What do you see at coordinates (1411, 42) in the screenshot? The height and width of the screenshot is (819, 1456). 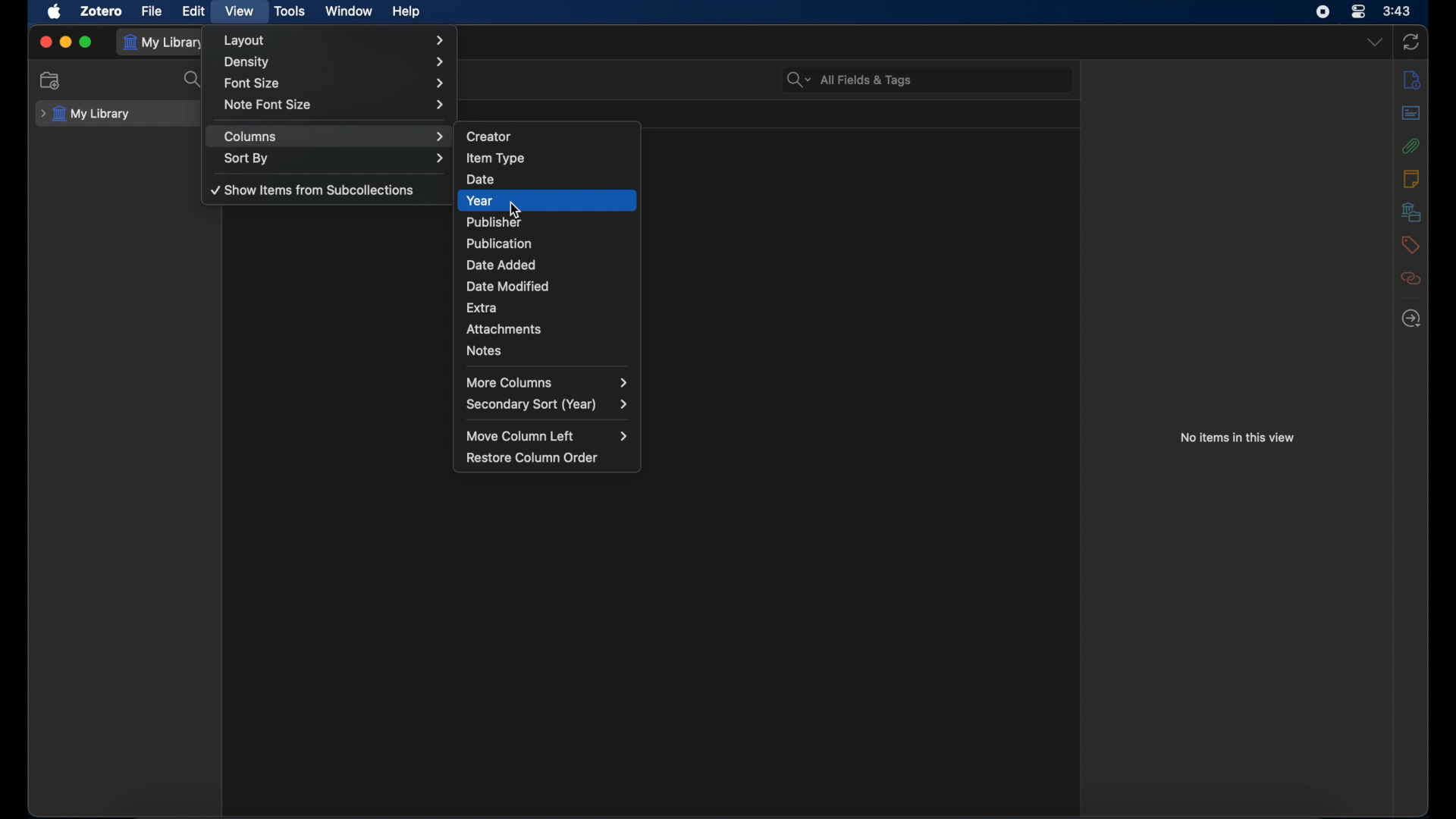 I see `sync` at bounding box center [1411, 42].